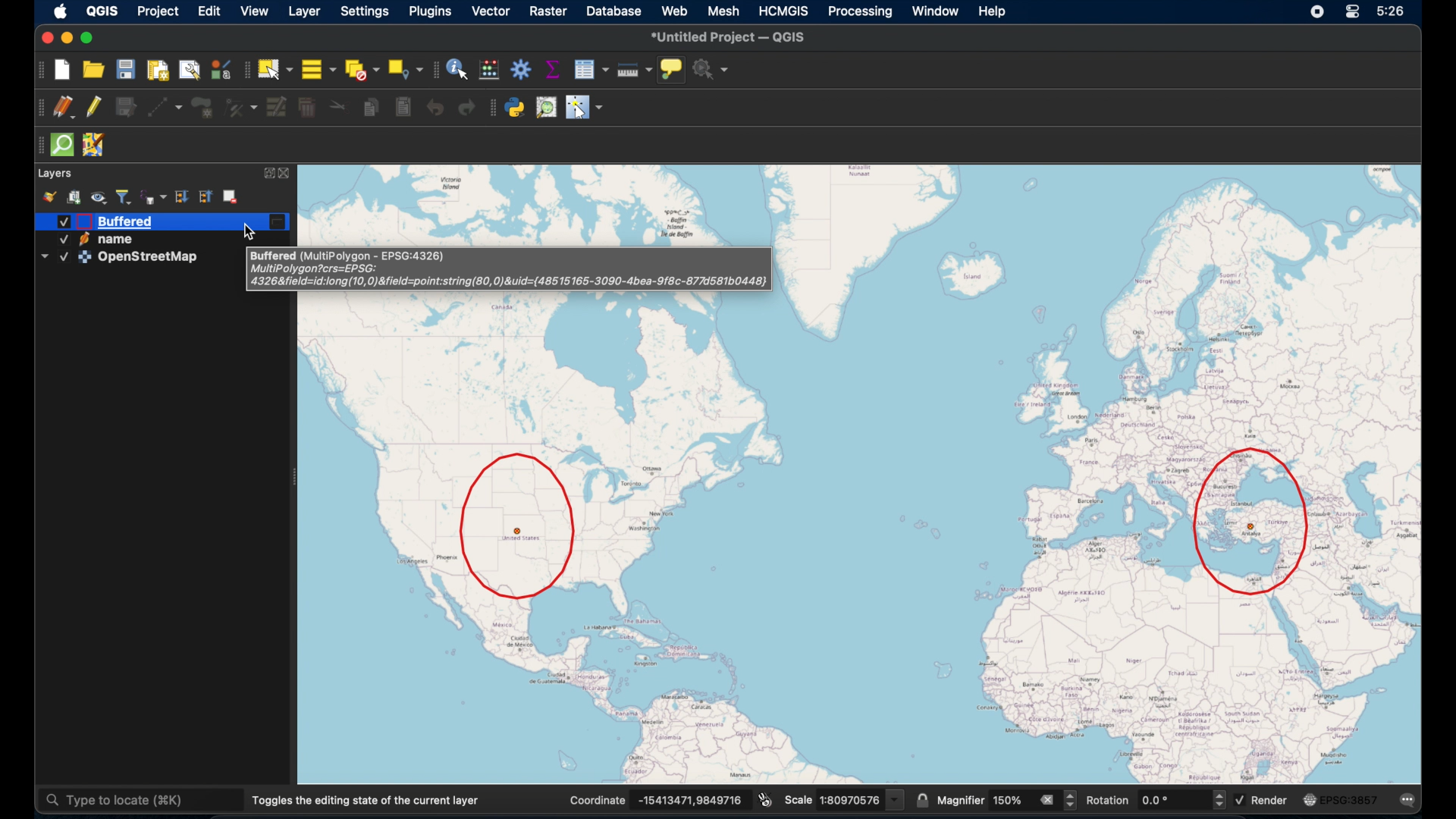 This screenshot has height=819, width=1456. What do you see at coordinates (202, 108) in the screenshot?
I see `all polygon feature` at bounding box center [202, 108].